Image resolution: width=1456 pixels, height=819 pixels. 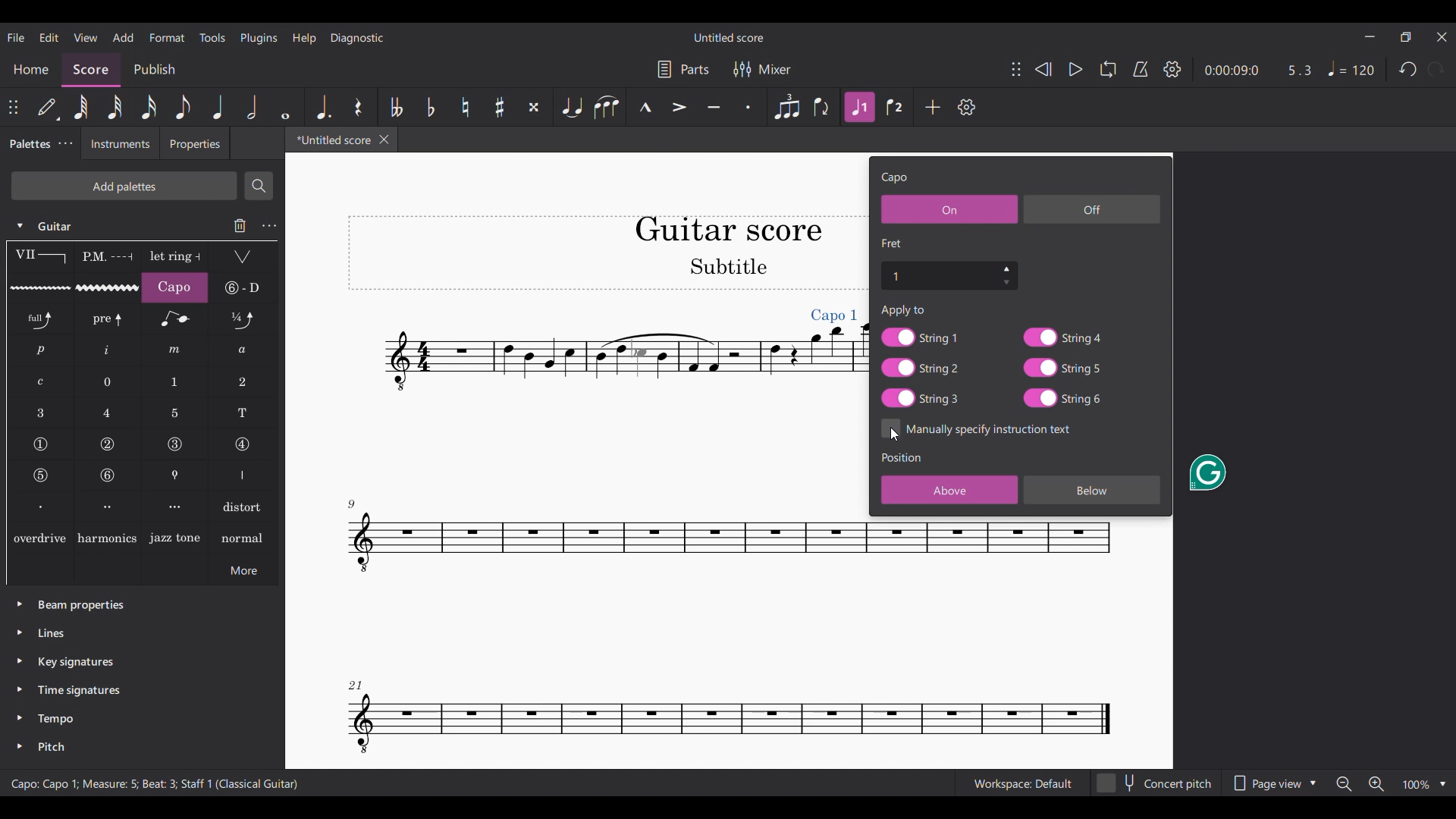 I want to click on RH guitar fingering i, so click(x=108, y=351).